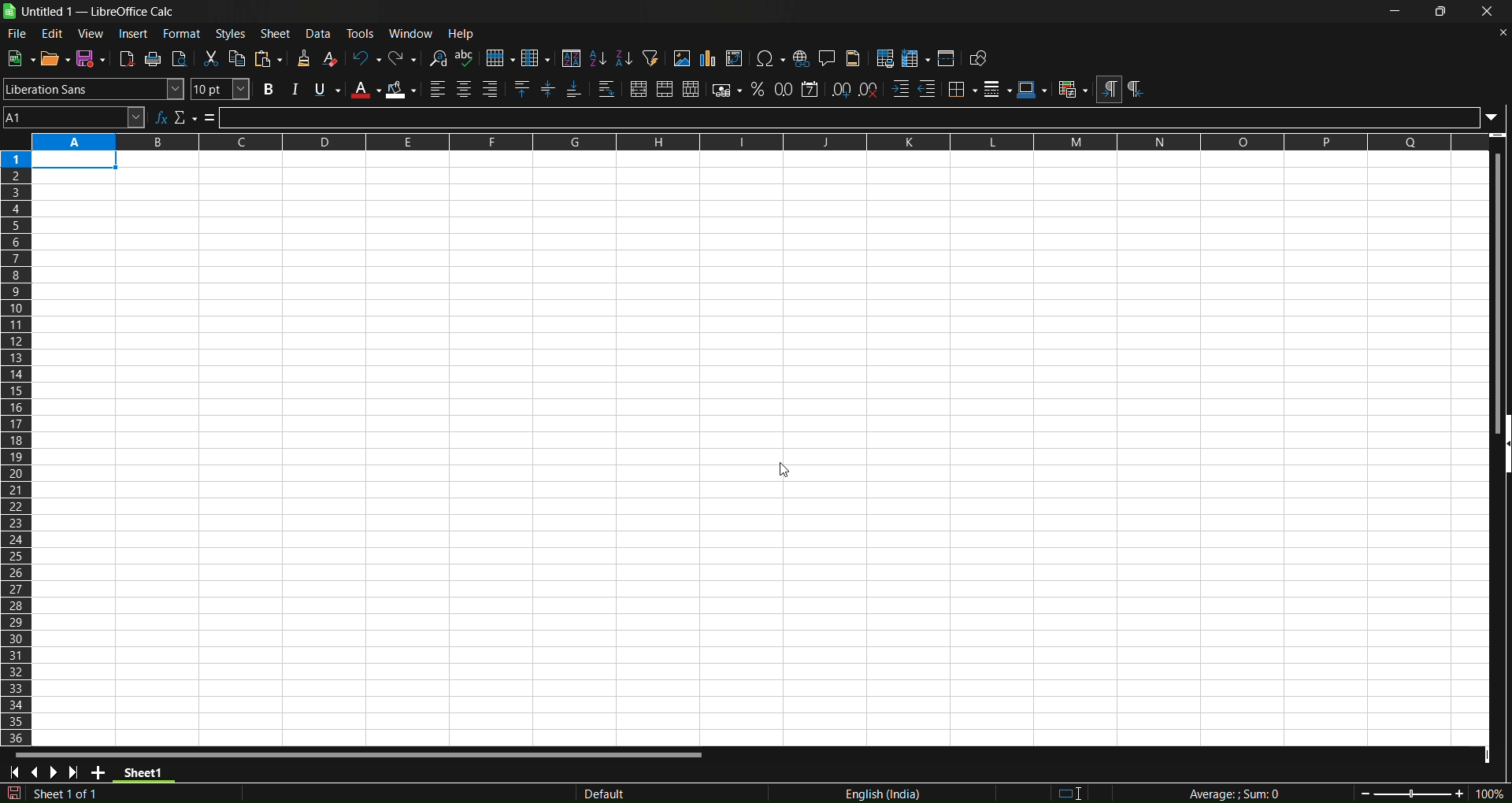  What do you see at coordinates (74, 117) in the screenshot?
I see `name box` at bounding box center [74, 117].